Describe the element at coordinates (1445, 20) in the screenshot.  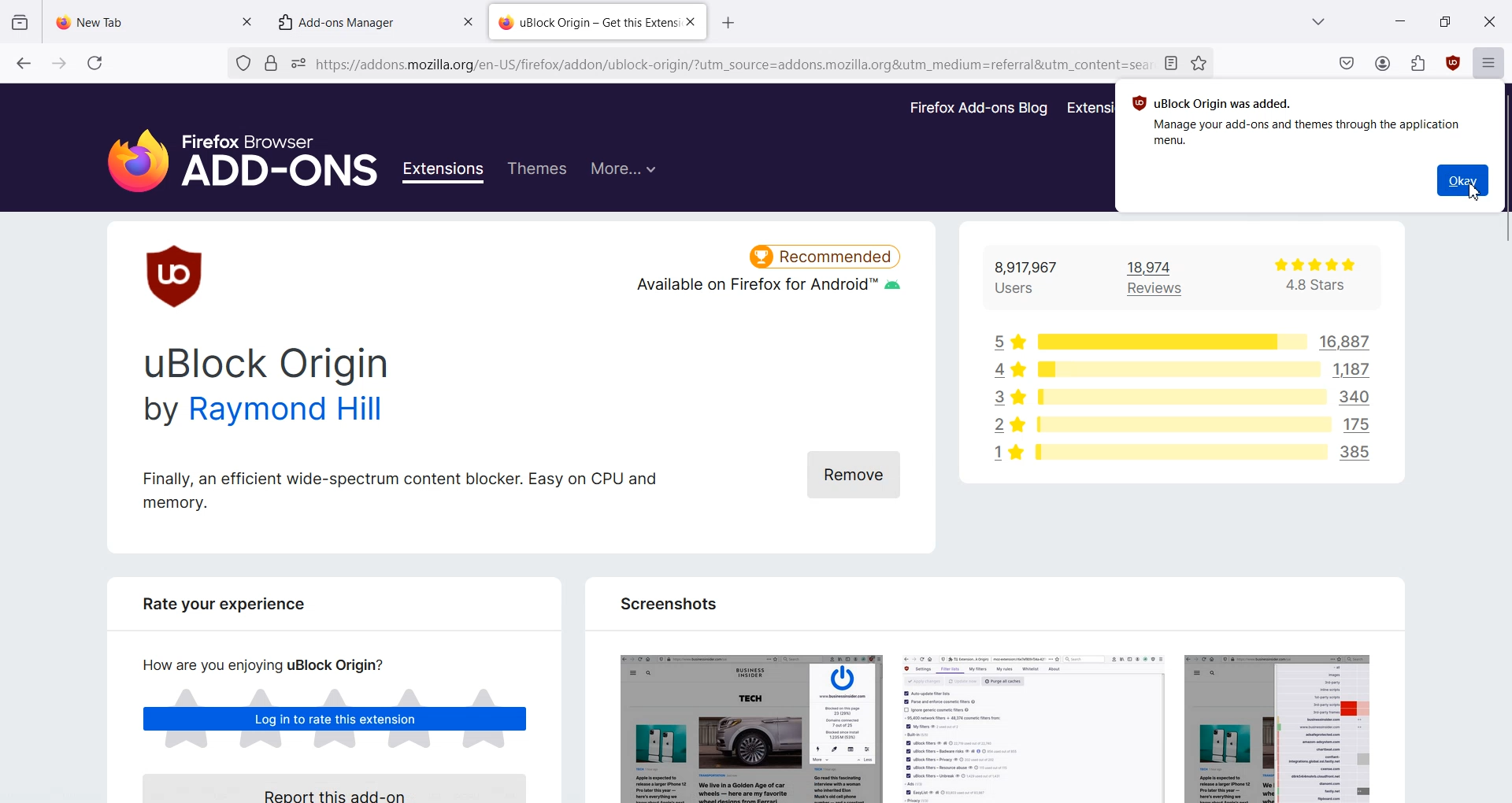
I see `Maximize` at that location.